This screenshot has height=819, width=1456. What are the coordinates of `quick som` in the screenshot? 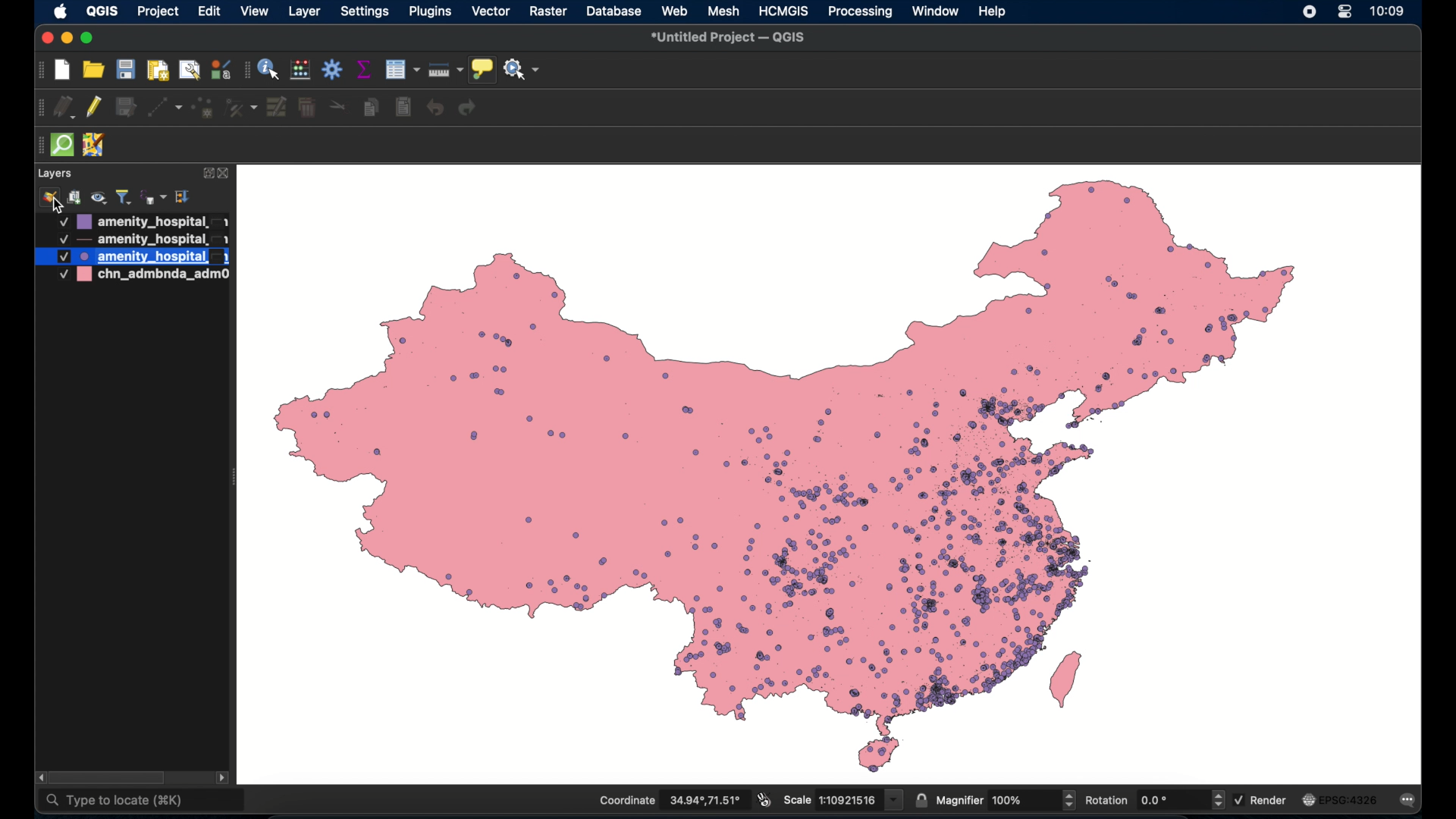 It's located at (64, 146).